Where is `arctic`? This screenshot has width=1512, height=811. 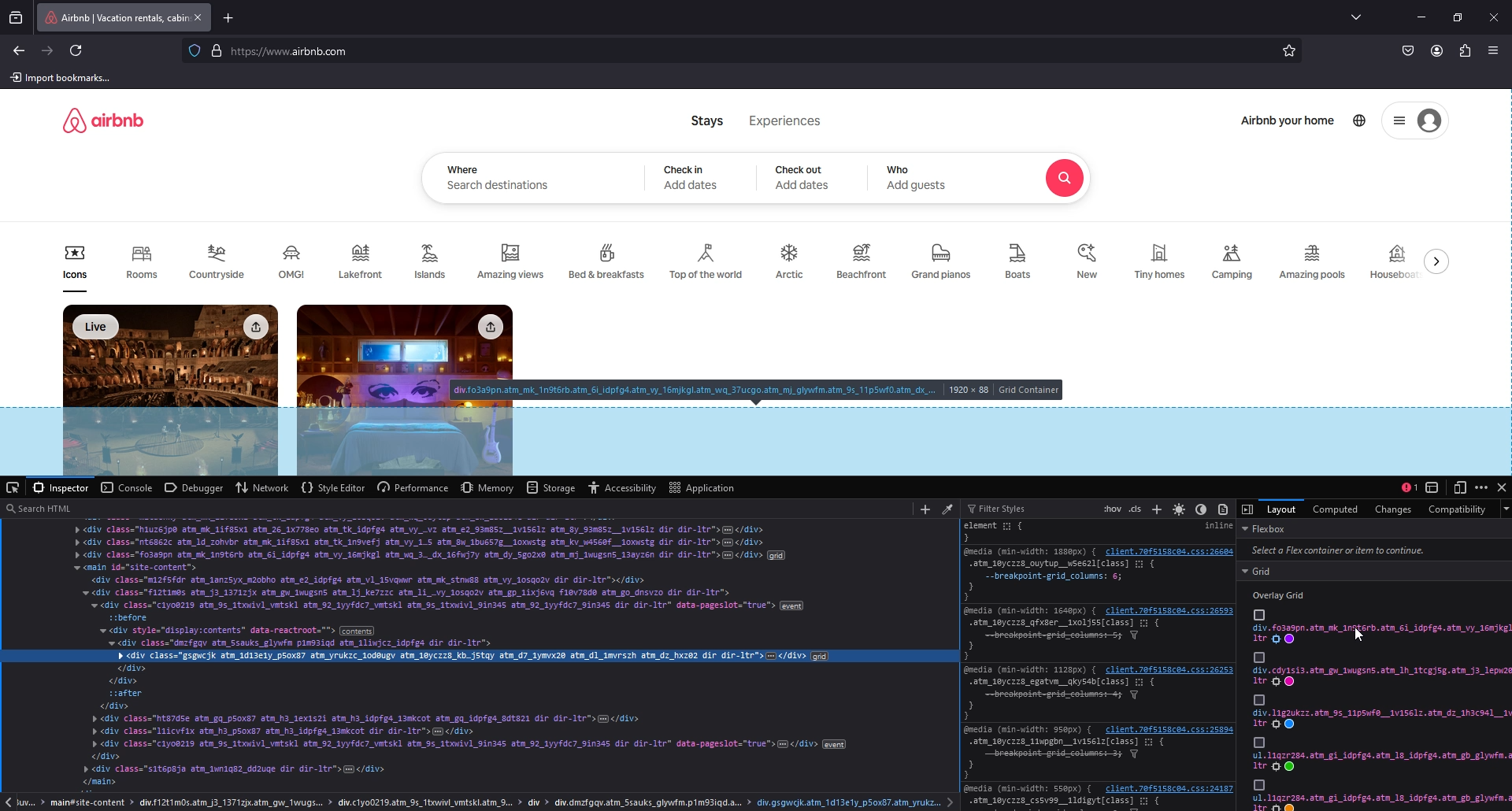
arctic is located at coordinates (791, 262).